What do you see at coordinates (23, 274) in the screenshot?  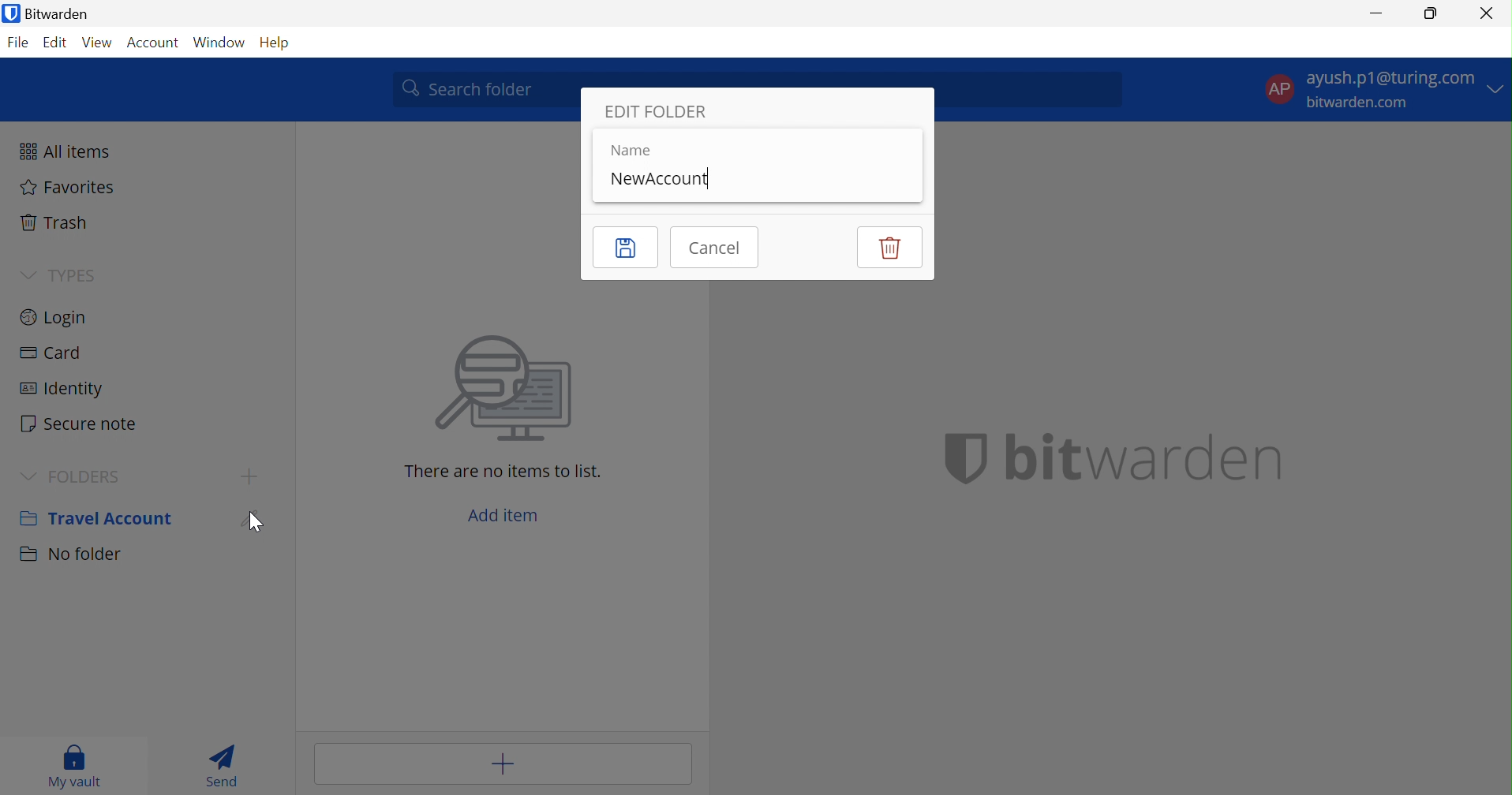 I see `Drop Down` at bounding box center [23, 274].